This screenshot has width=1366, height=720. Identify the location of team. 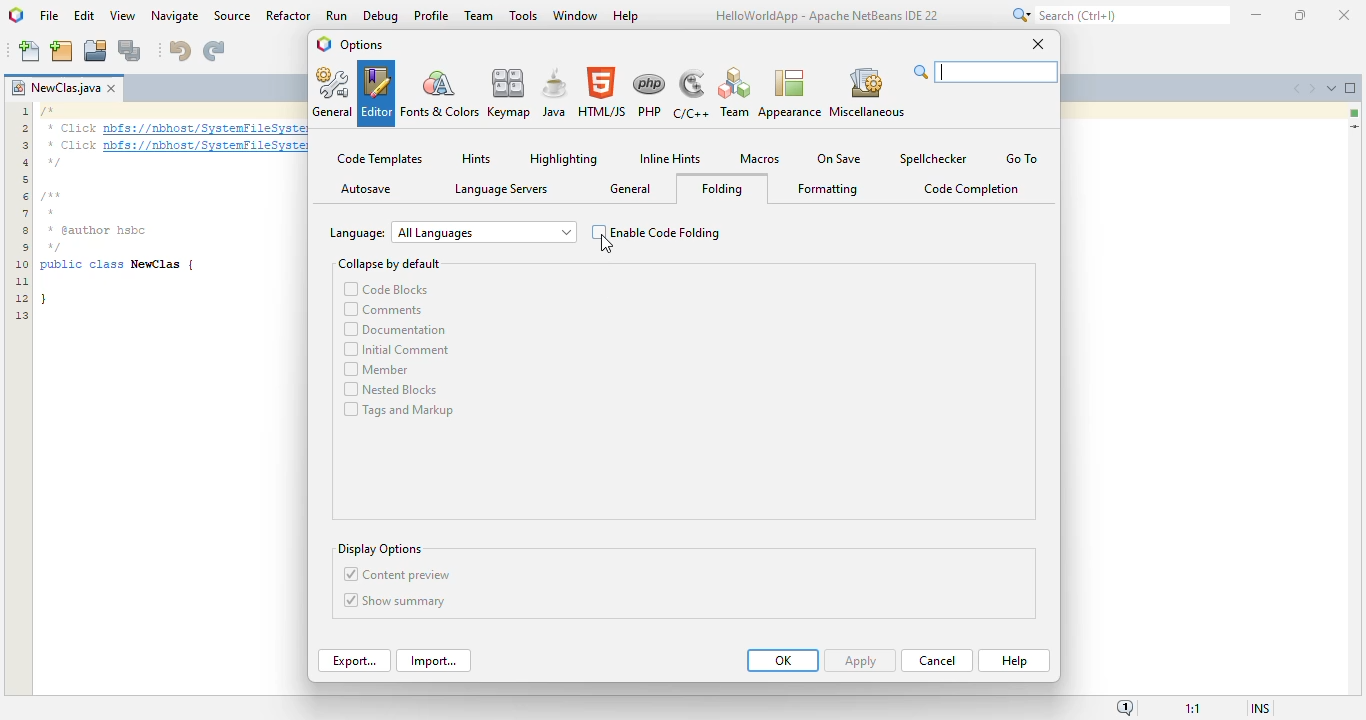
(479, 15).